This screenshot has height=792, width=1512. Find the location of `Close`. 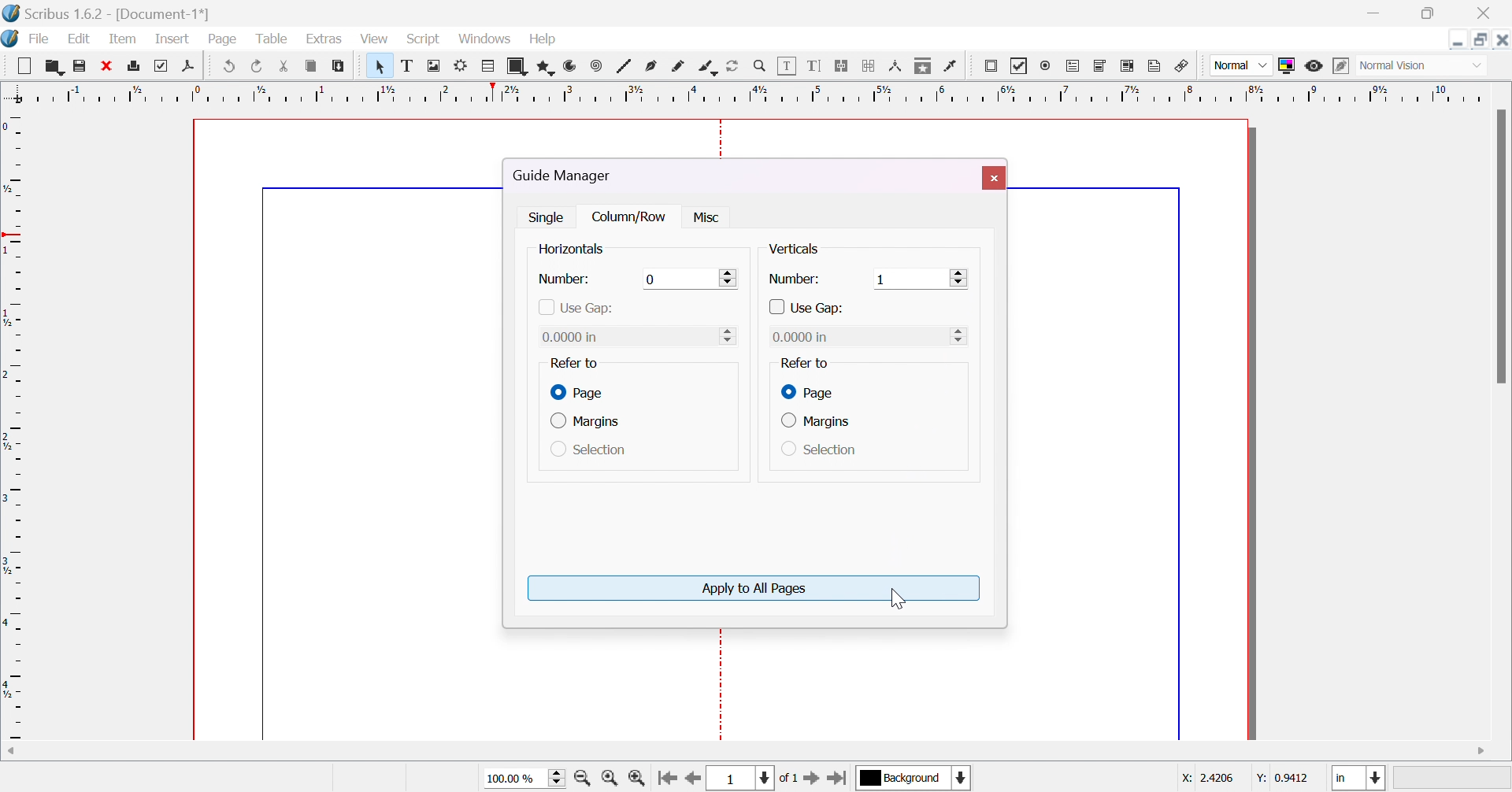

Close is located at coordinates (1503, 39).